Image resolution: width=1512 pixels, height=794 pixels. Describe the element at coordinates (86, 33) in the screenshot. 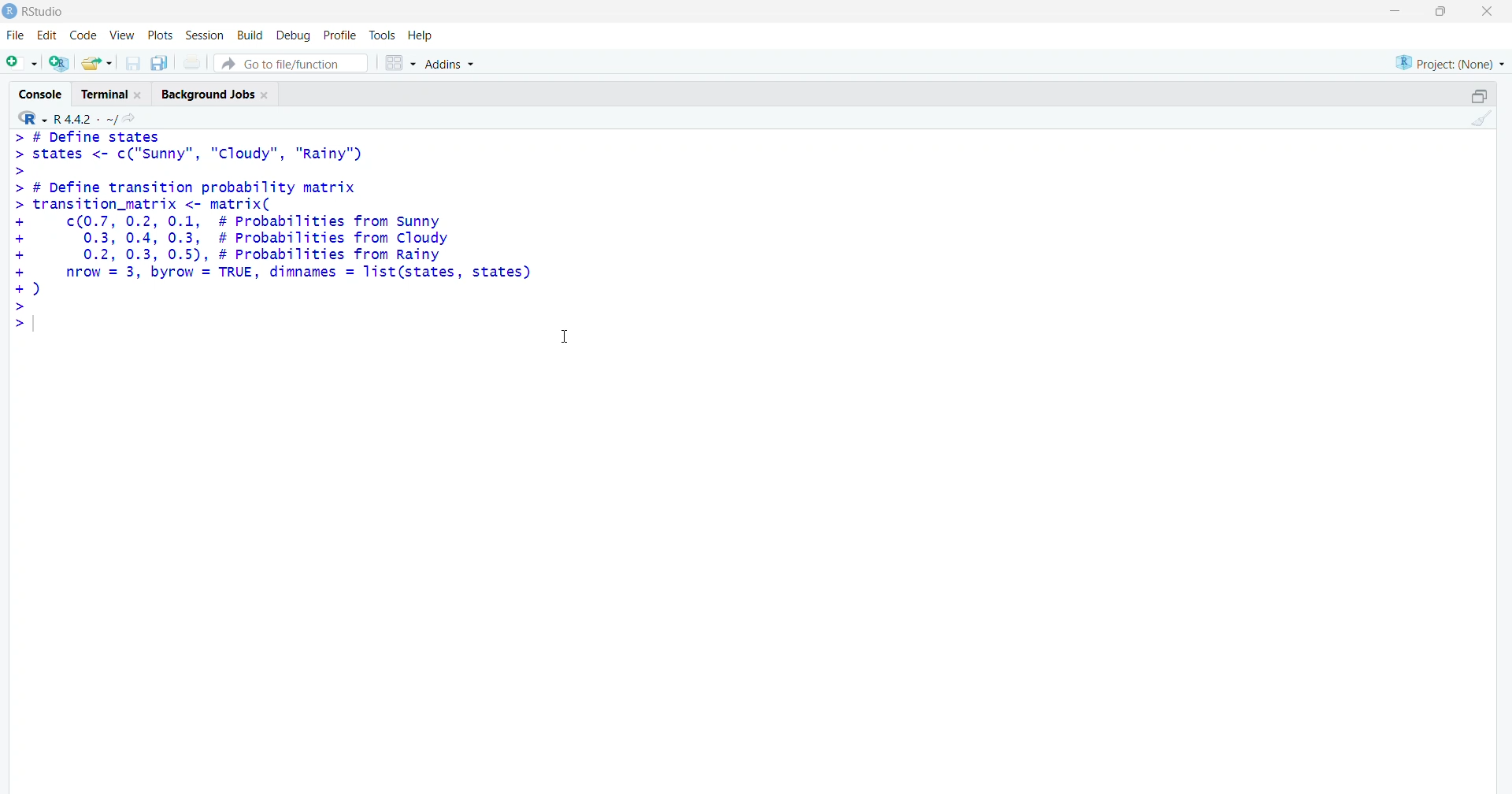

I see `code` at that location.